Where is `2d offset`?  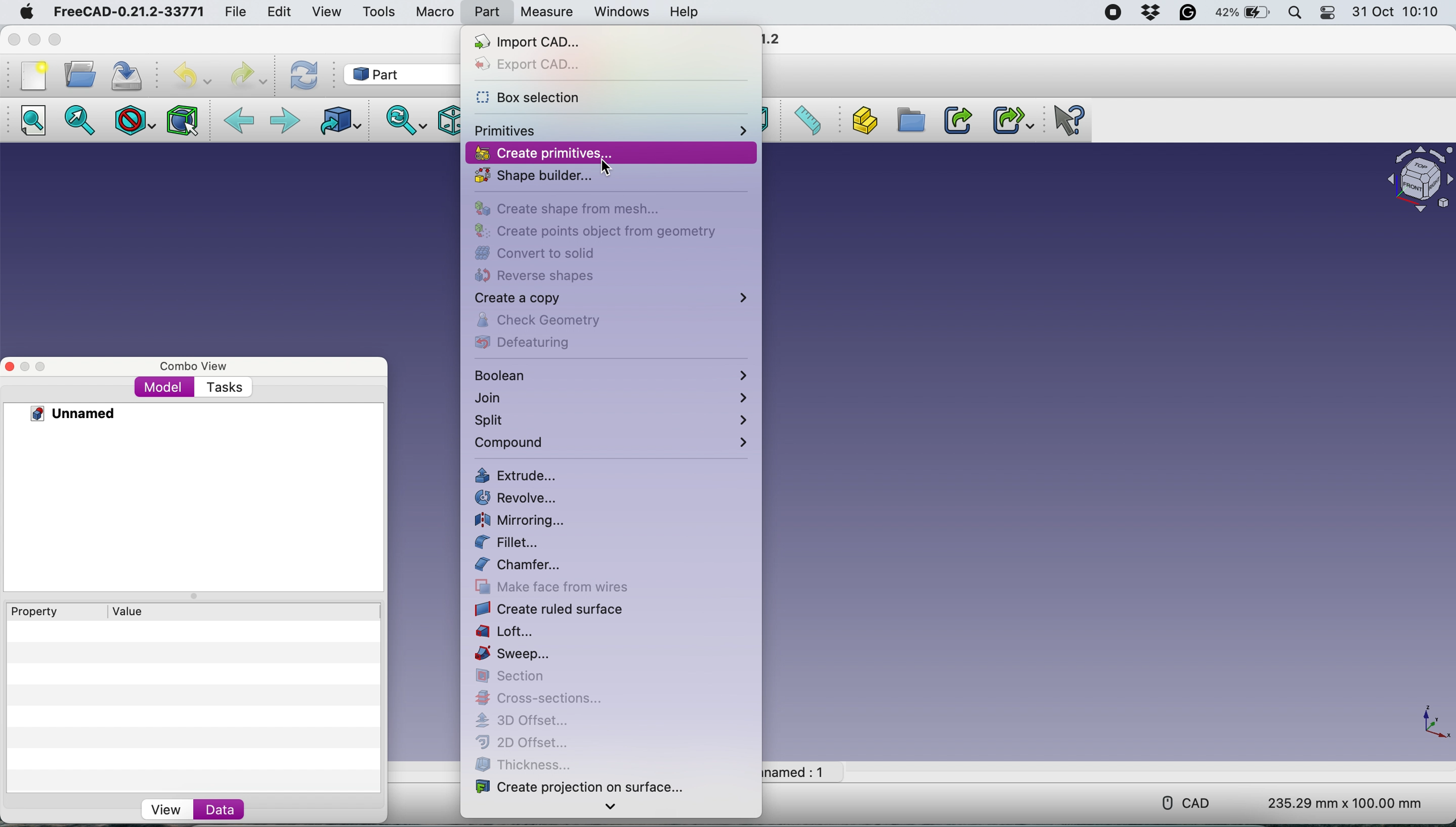
2d offset is located at coordinates (528, 742).